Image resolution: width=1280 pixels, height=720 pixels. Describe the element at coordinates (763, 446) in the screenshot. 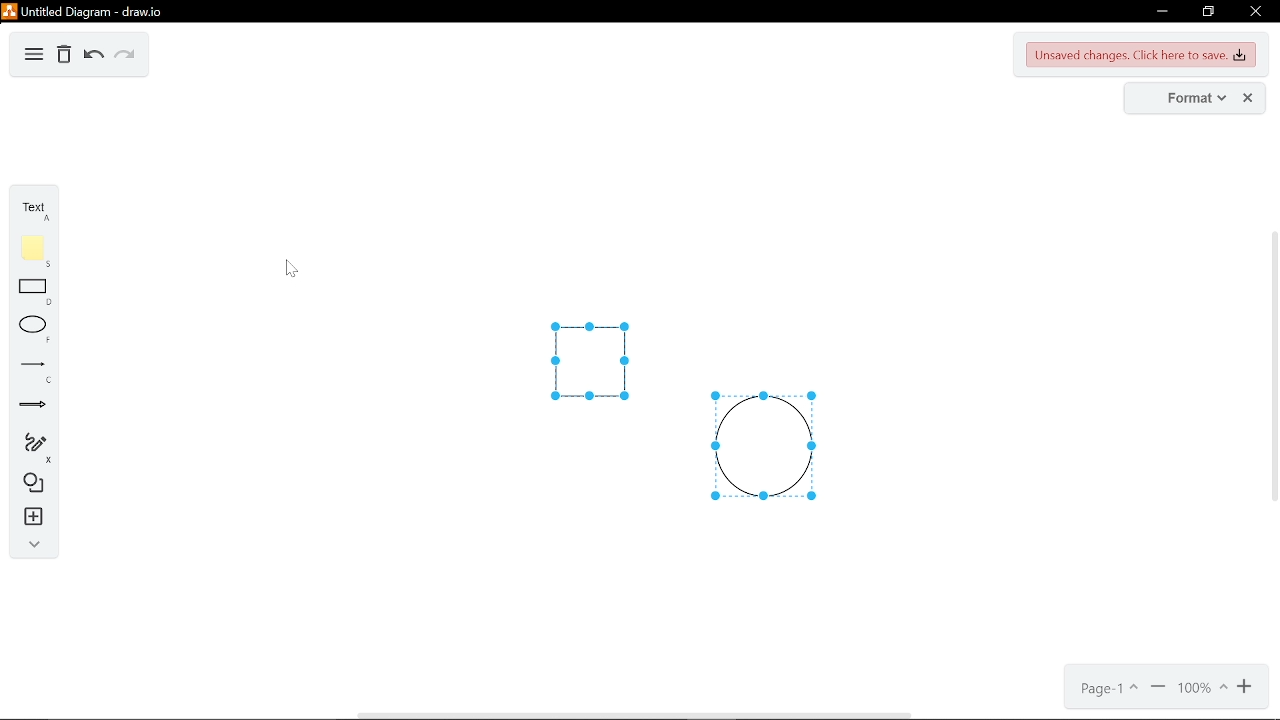

I see `ungrouped circle` at that location.